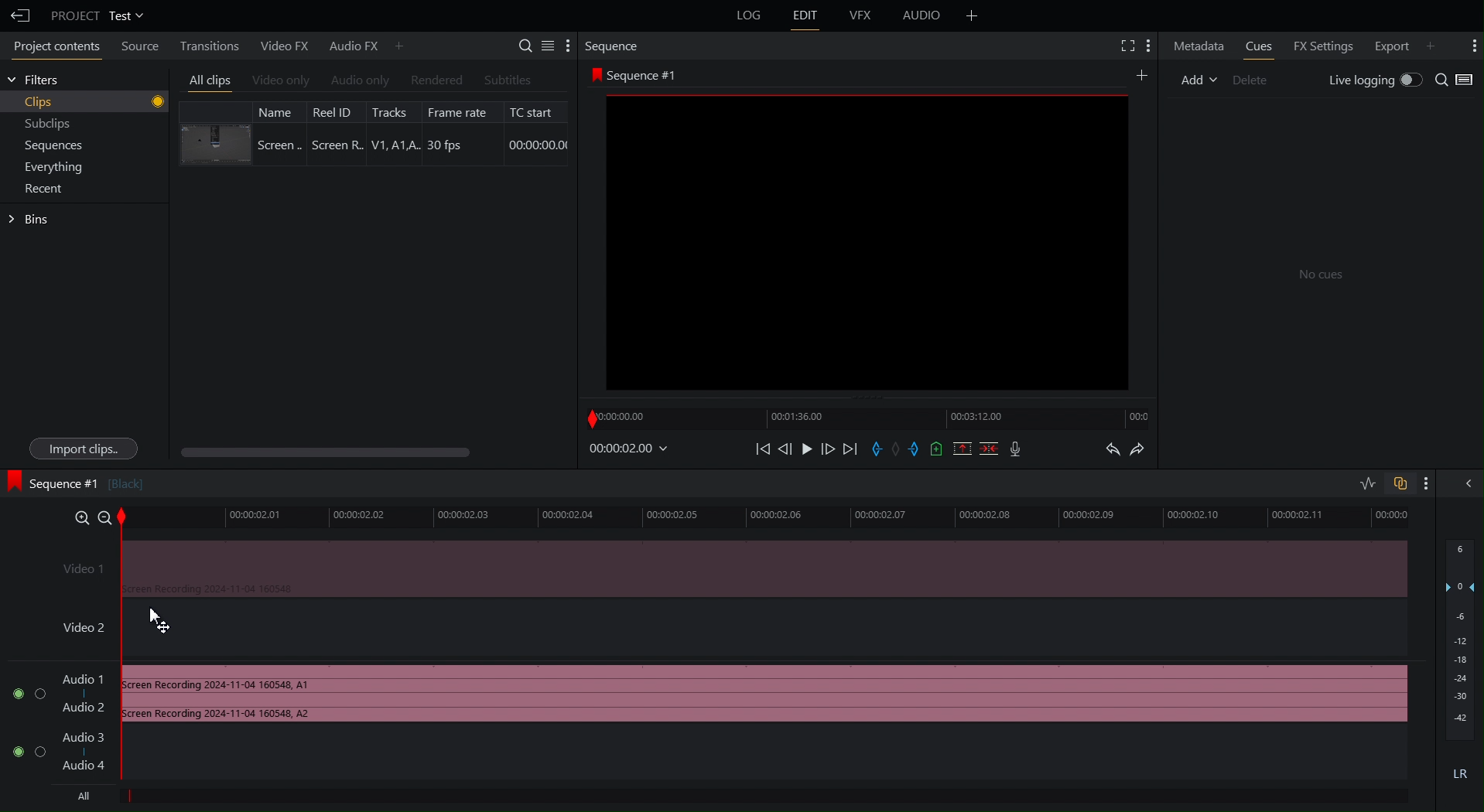 The height and width of the screenshot is (812, 1484). Describe the element at coordinates (40, 188) in the screenshot. I see `Recent` at that location.